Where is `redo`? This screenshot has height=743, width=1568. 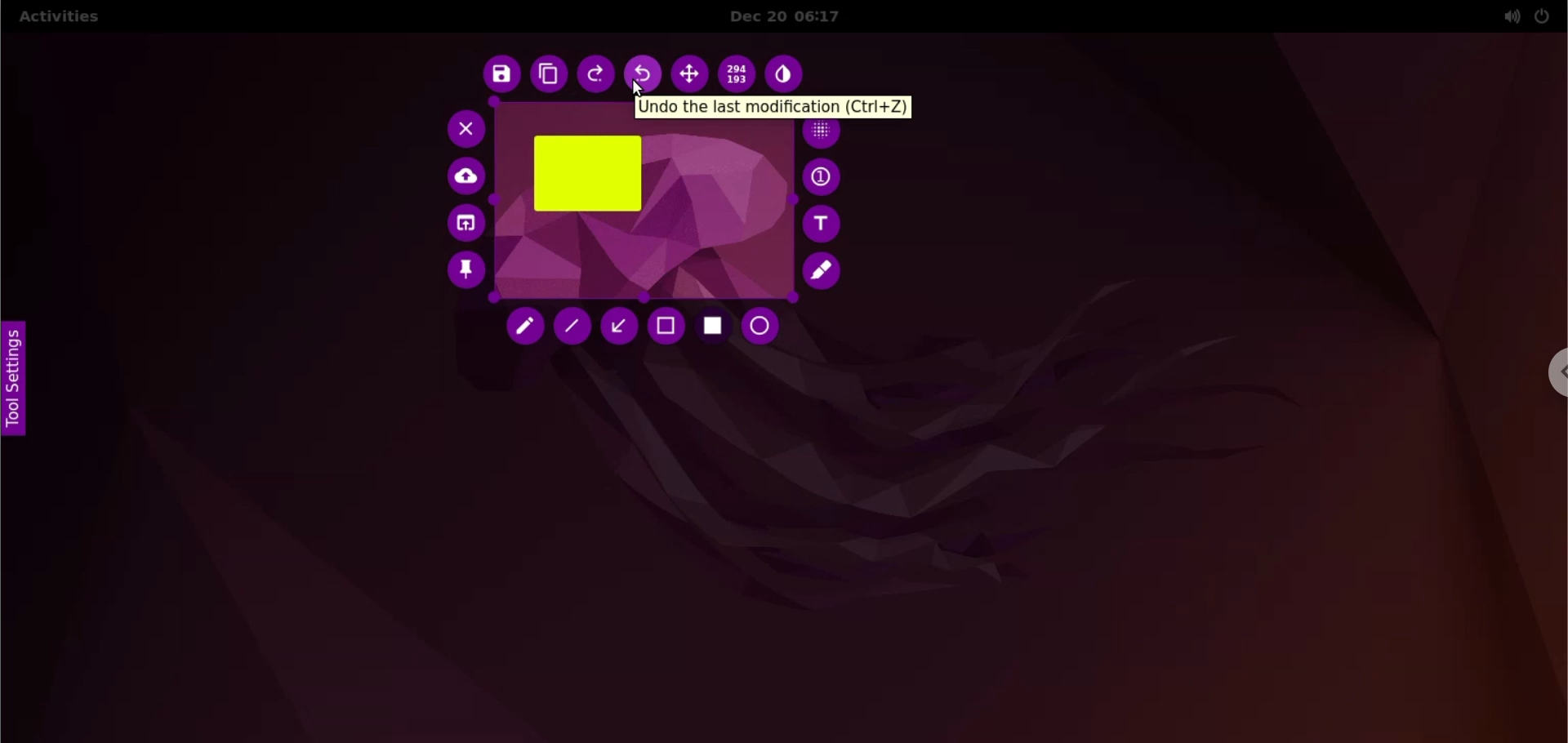
redo is located at coordinates (597, 76).